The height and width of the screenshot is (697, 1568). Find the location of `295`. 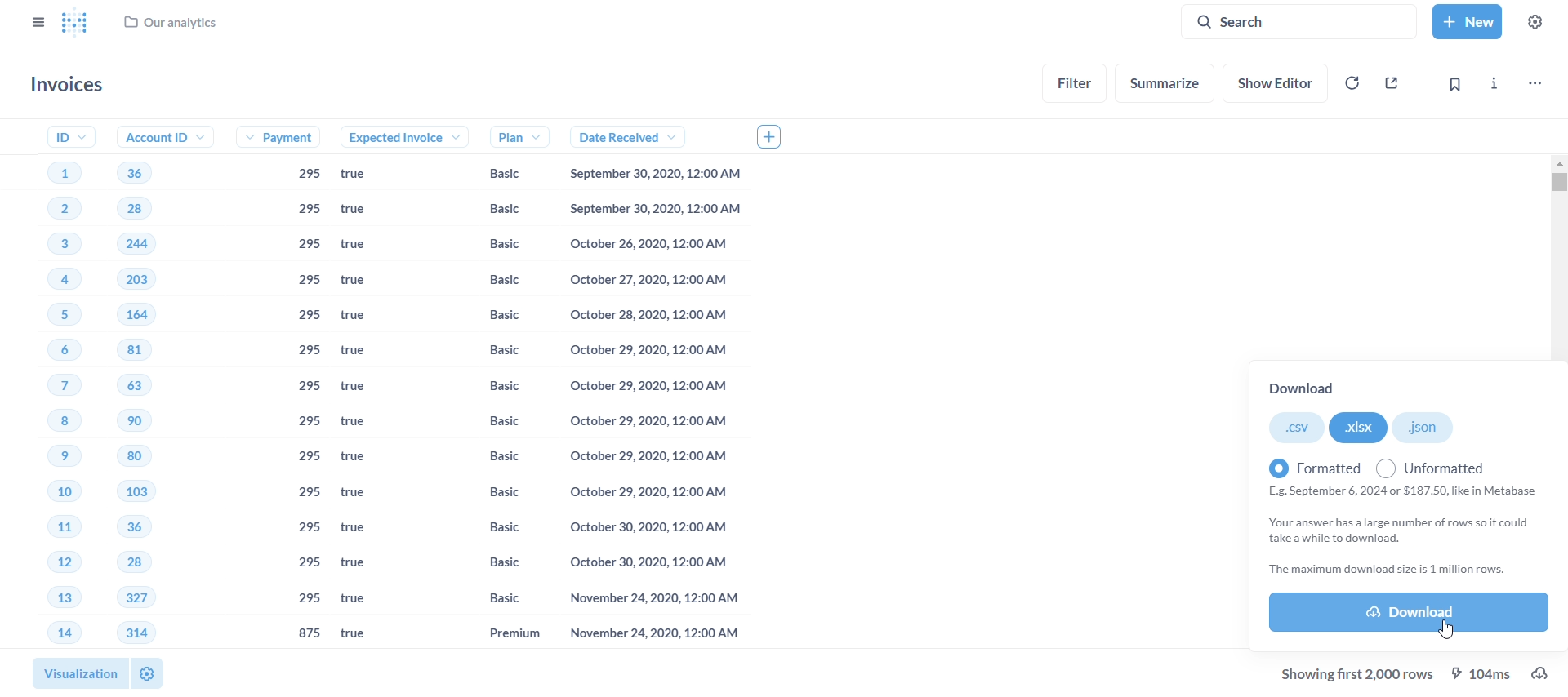

295 is located at coordinates (308, 245).